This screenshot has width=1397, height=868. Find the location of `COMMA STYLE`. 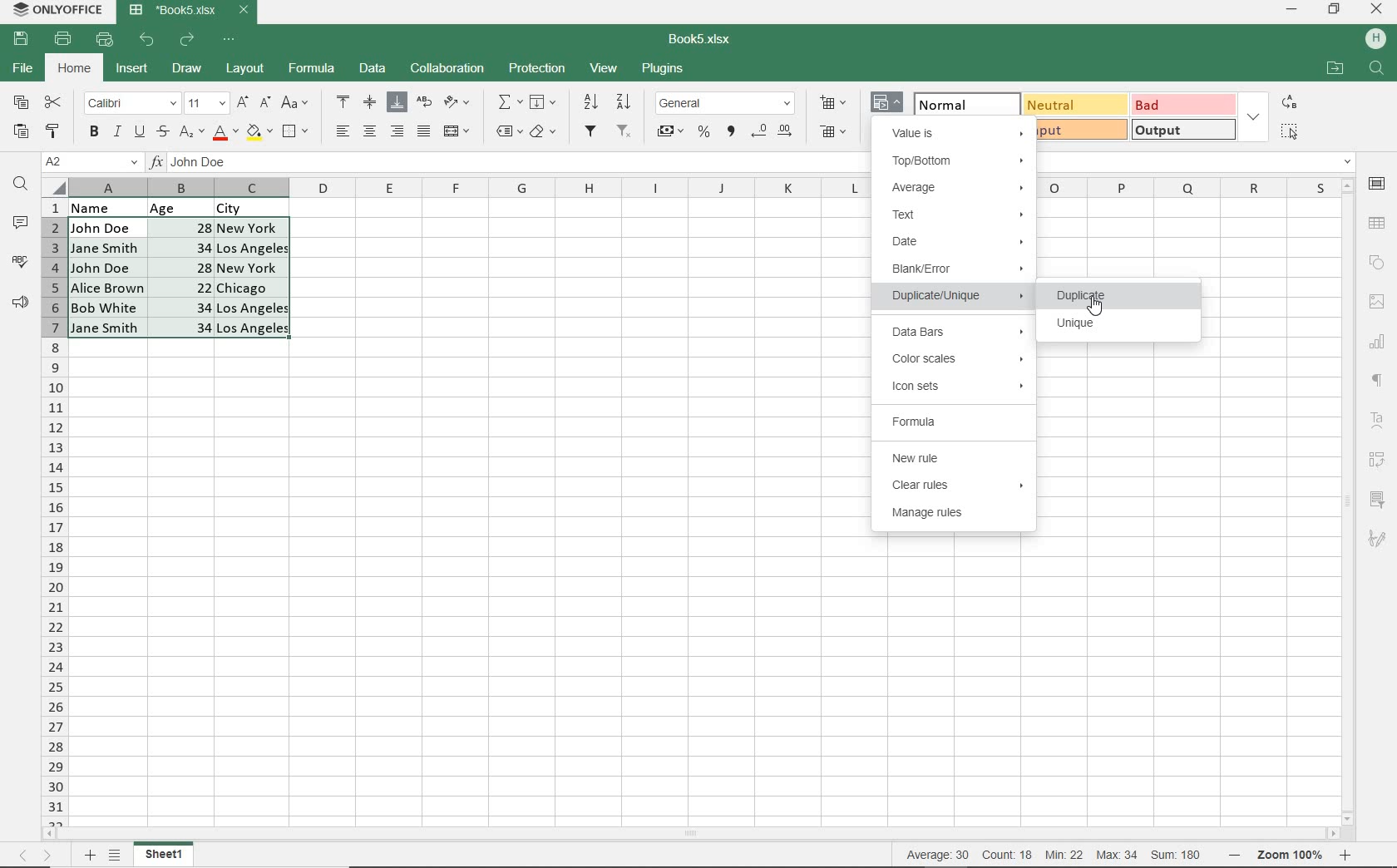

COMMA STYLE is located at coordinates (729, 131).